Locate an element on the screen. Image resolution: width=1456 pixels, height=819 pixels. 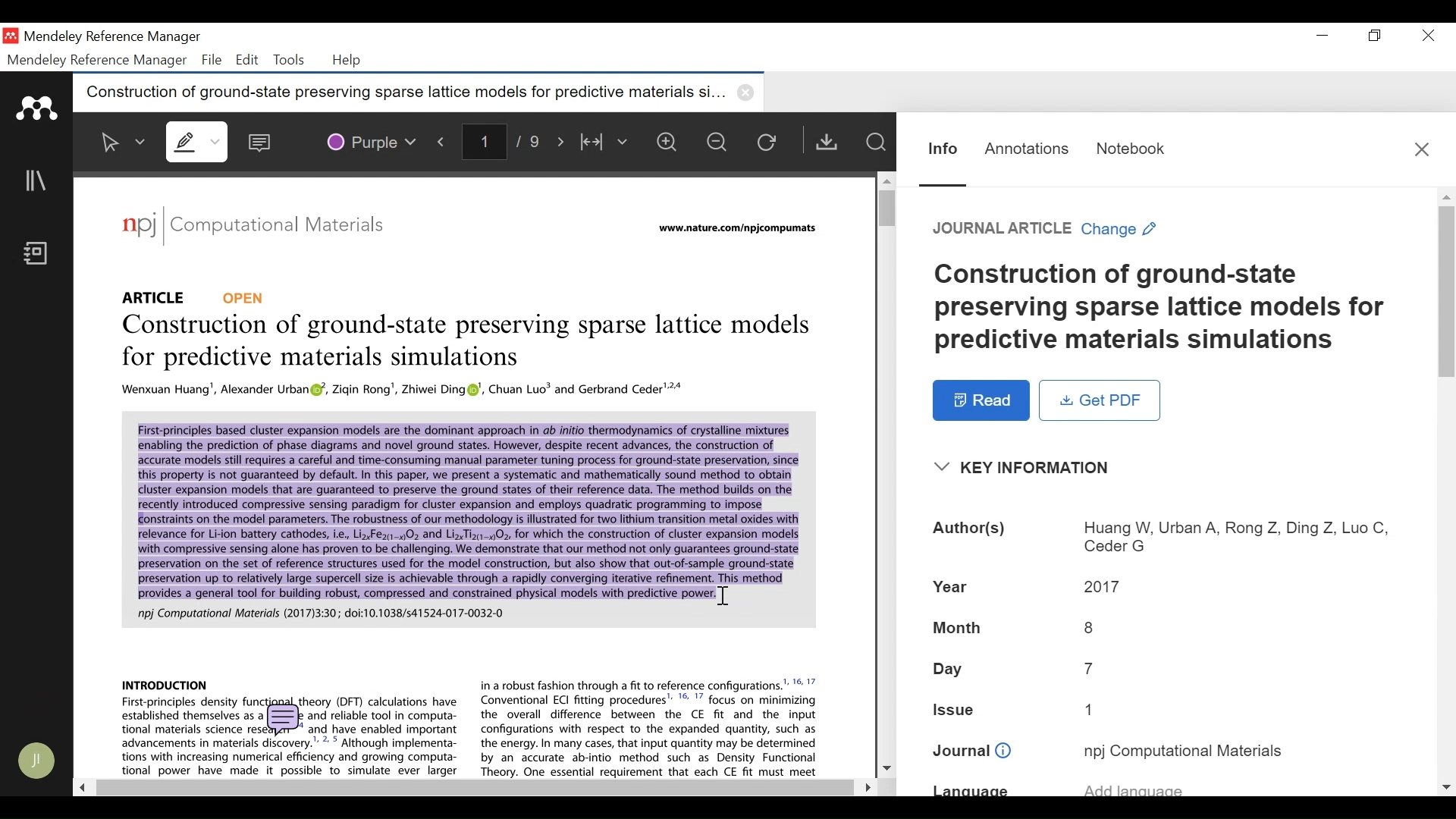
Mendeley Reference Manager is located at coordinates (98, 61).